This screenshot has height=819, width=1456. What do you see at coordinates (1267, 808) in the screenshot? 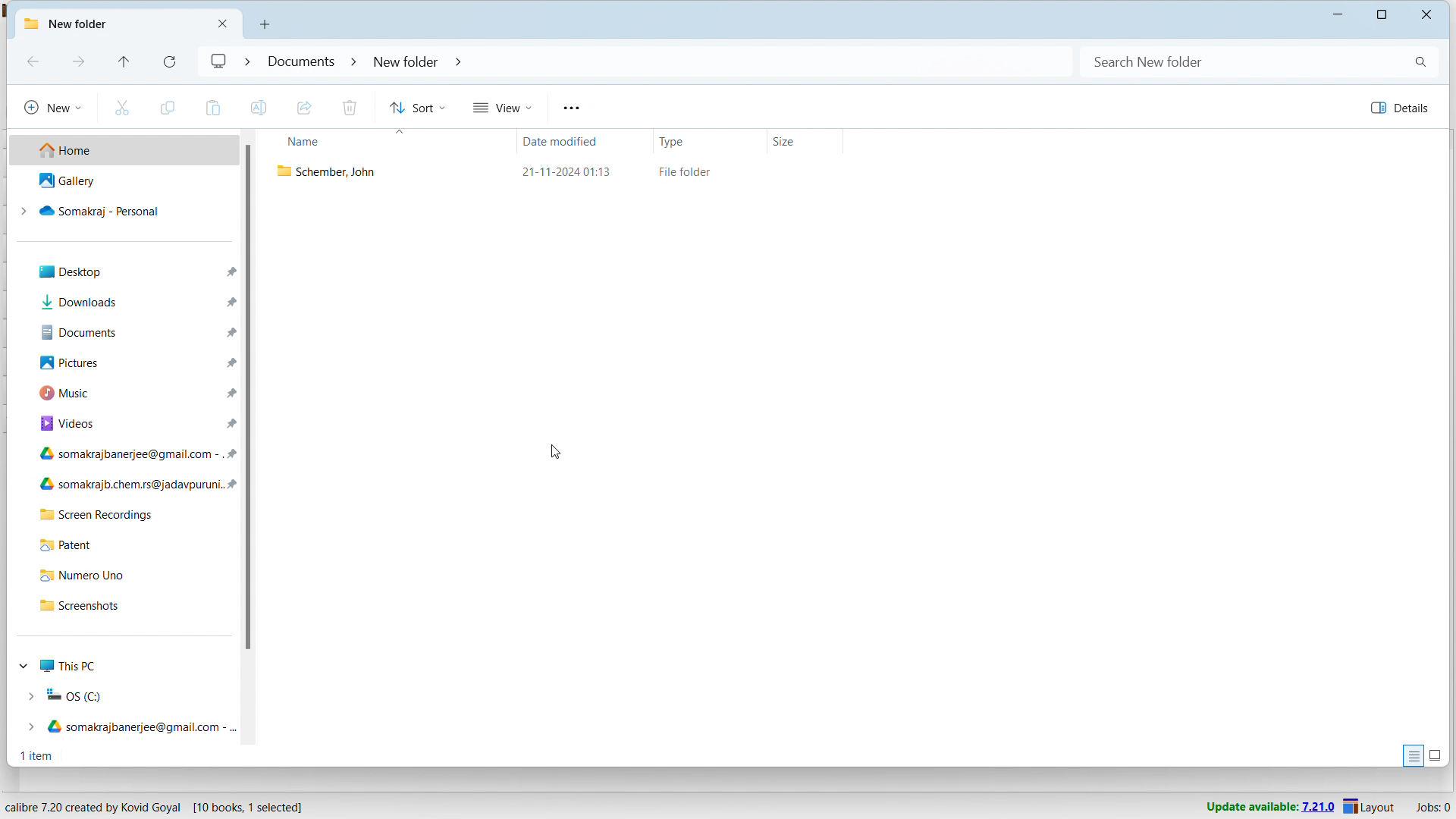
I see `uodate` at bounding box center [1267, 808].